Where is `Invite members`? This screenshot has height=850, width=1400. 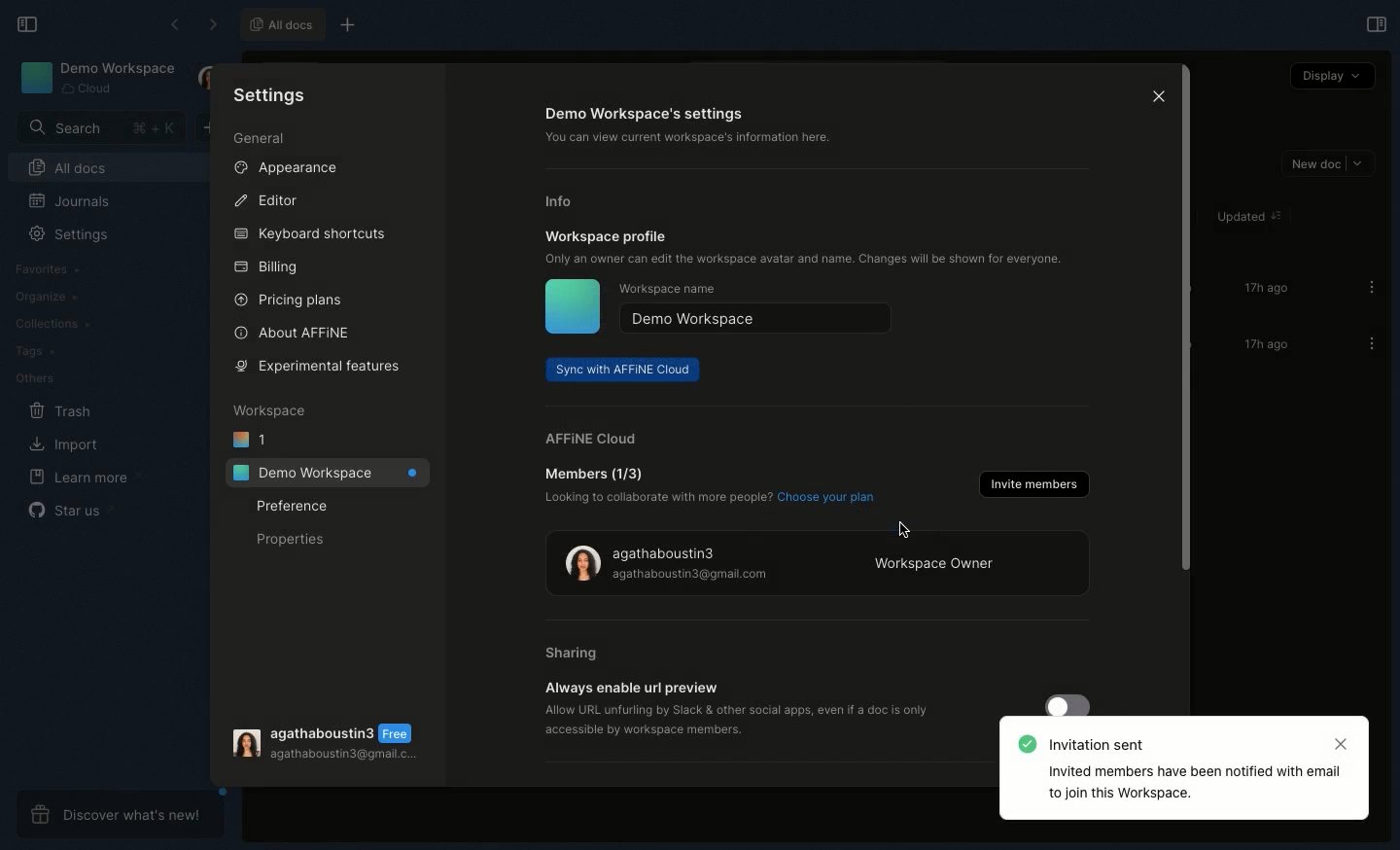 Invite members is located at coordinates (1032, 484).